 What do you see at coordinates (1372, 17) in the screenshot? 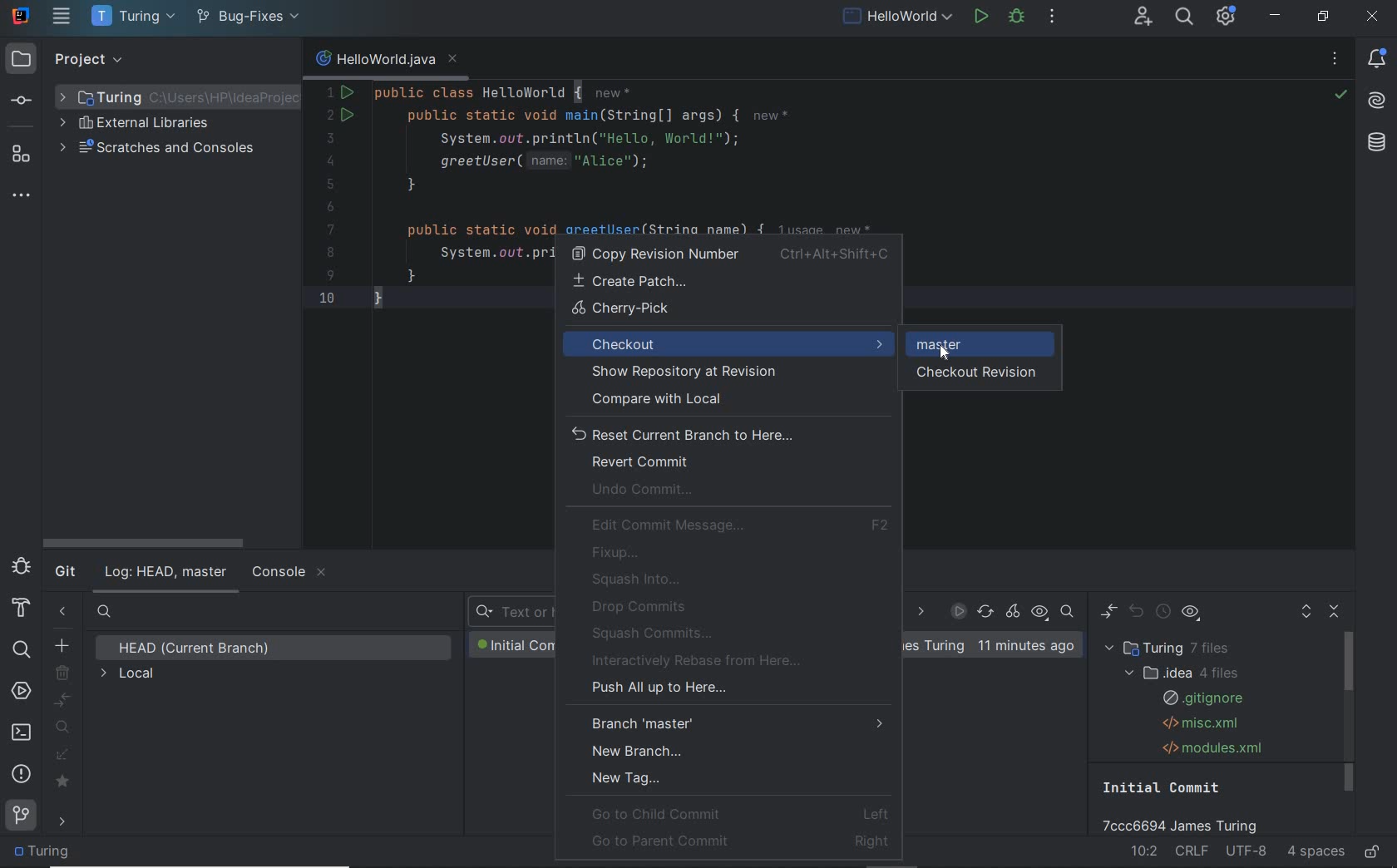
I see `close` at bounding box center [1372, 17].